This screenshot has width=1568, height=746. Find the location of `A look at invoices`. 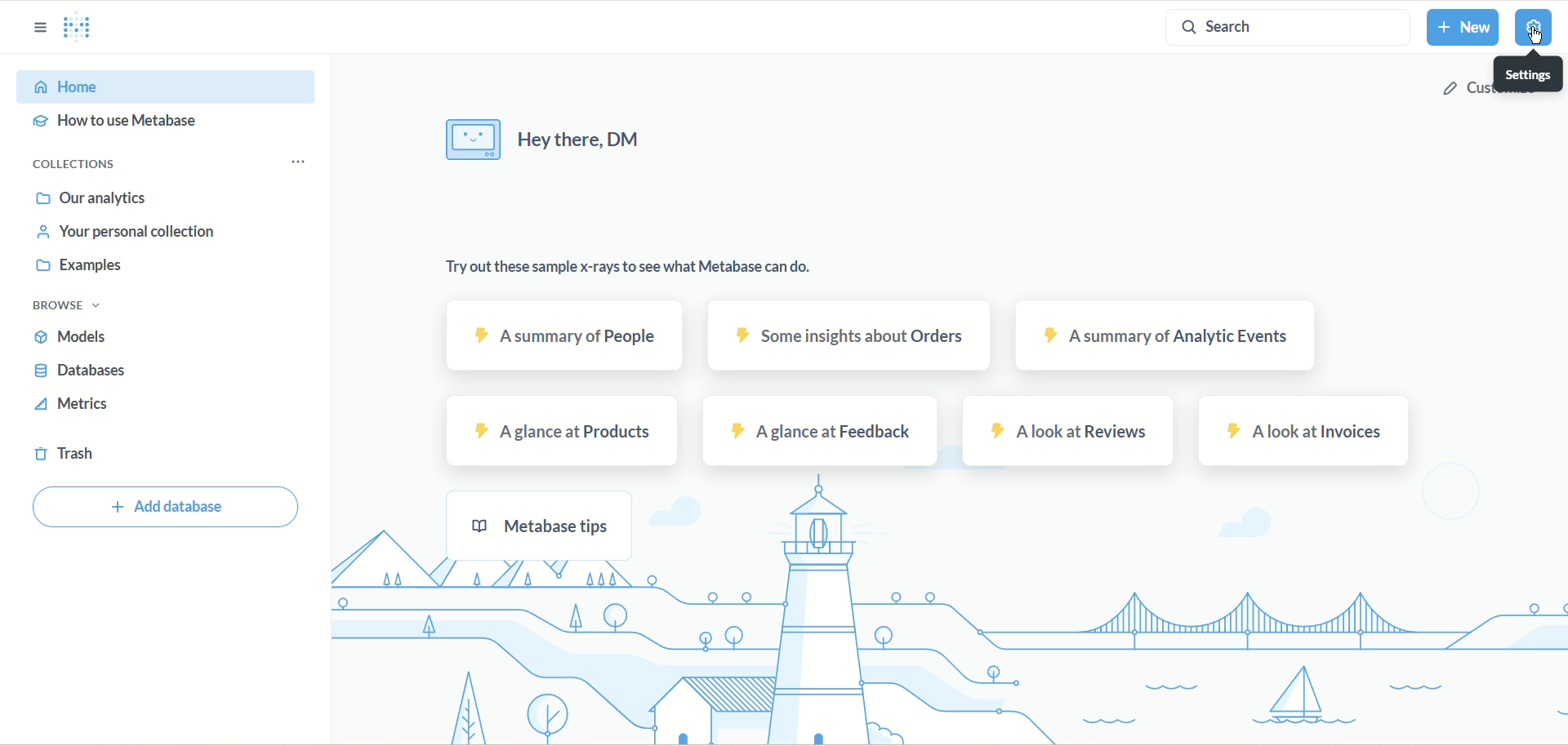

A look at invoices is located at coordinates (1309, 433).